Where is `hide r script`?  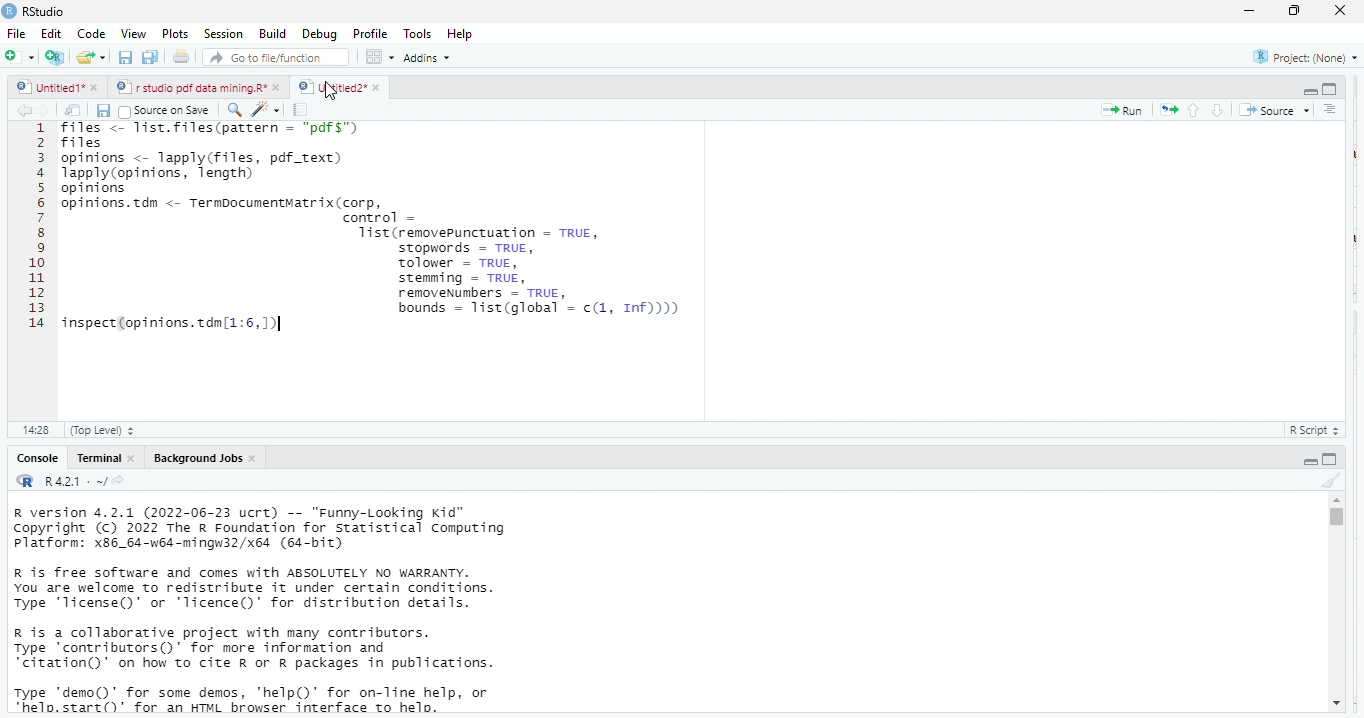
hide r script is located at coordinates (1310, 92).